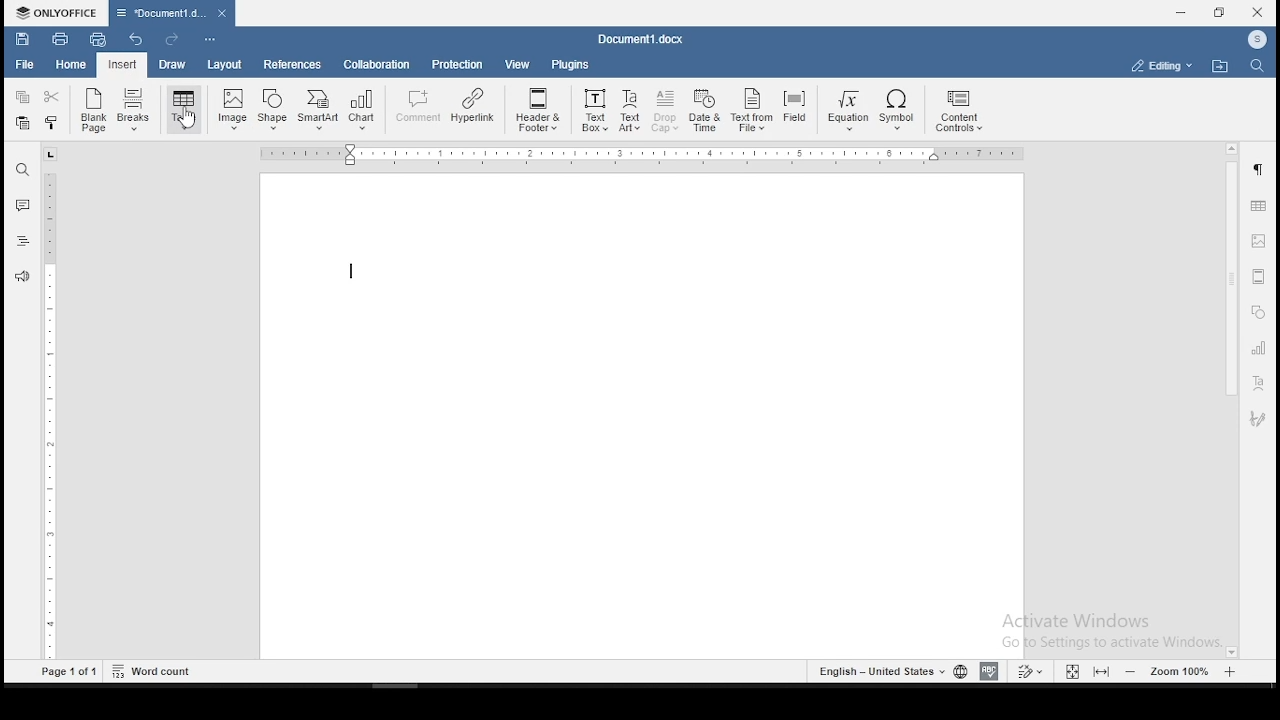 The height and width of the screenshot is (720, 1280). Describe the element at coordinates (1260, 242) in the screenshot. I see `image settings` at that location.